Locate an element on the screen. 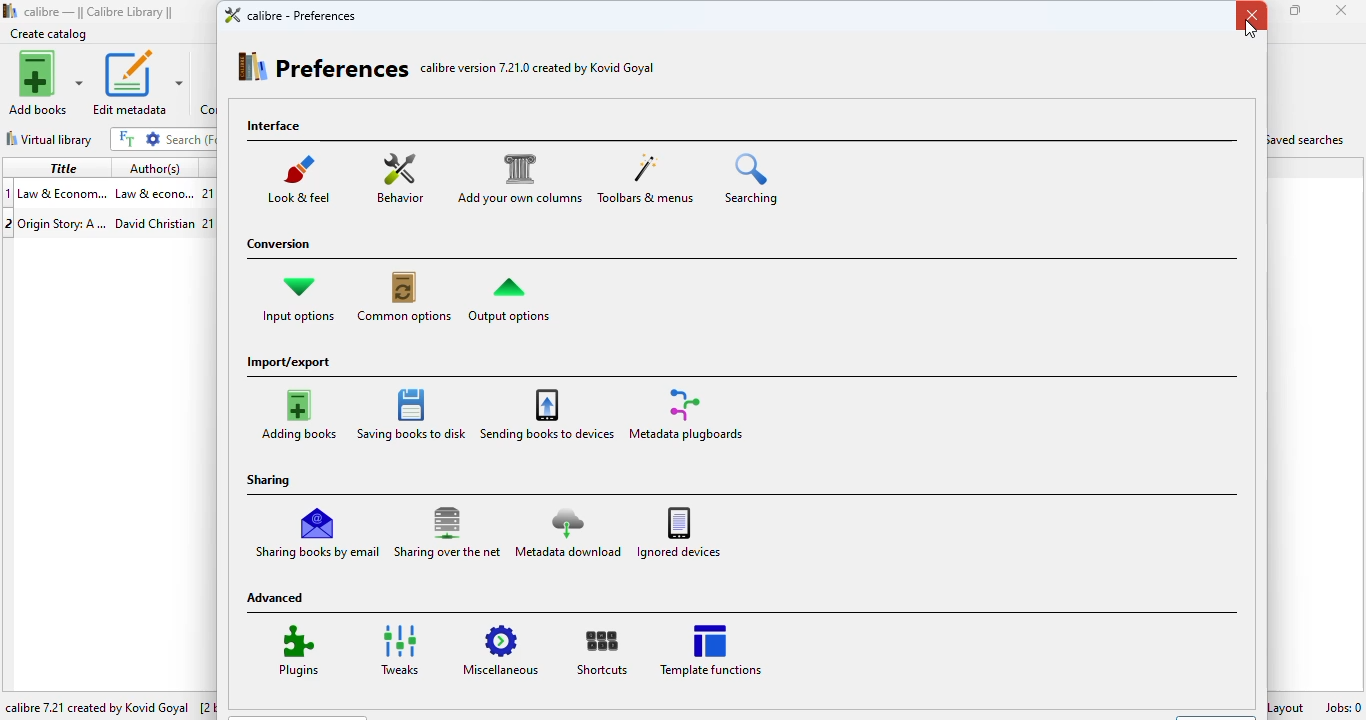  edit metadata is located at coordinates (137, 85).